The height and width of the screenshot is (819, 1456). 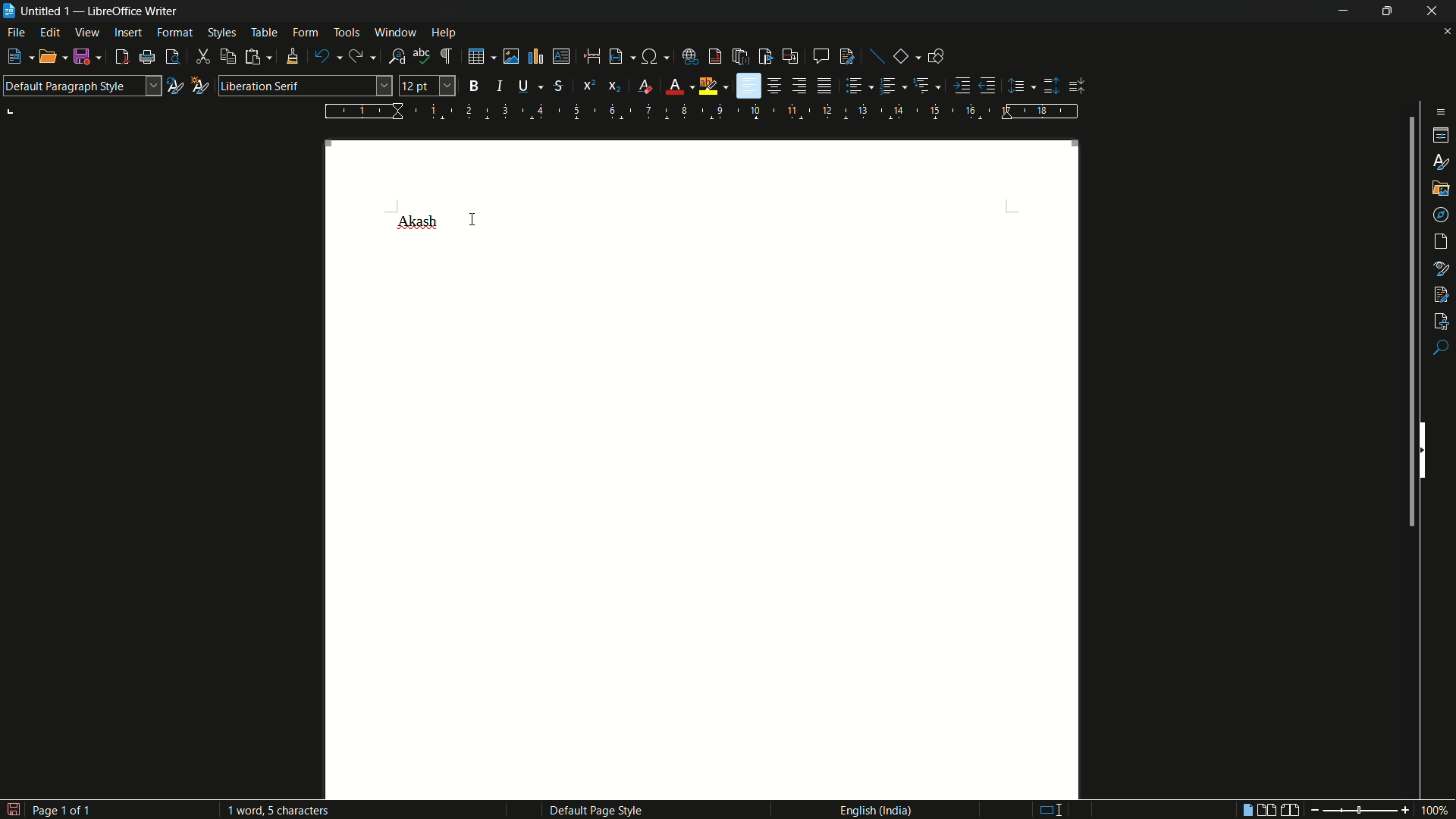 I want to click on new style from selection, so click(x=198, y=84).